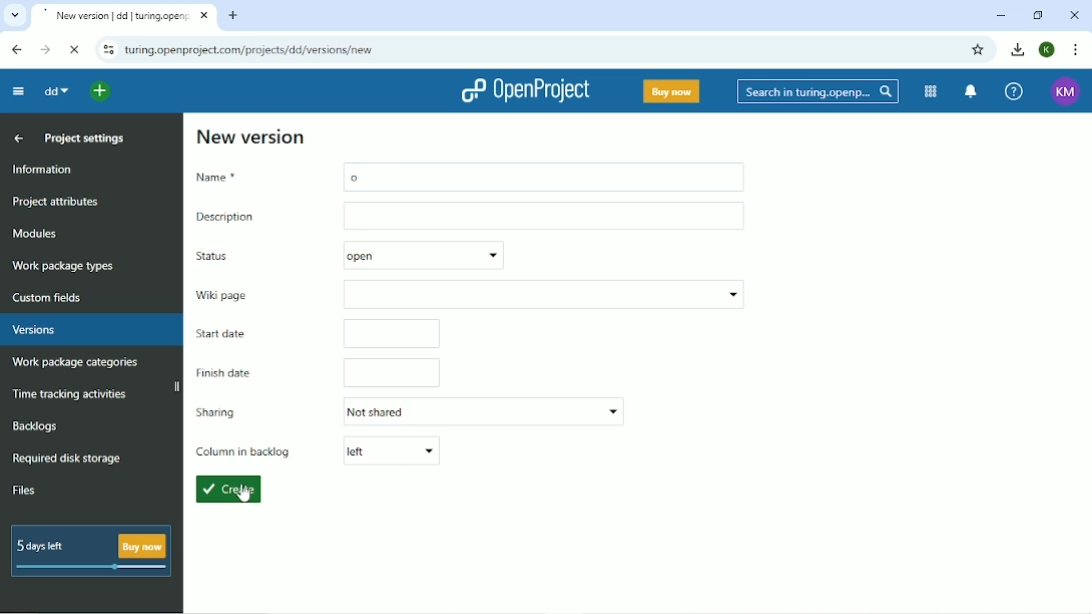 The image size is (1092, 614). I want to click on Files, so click(24, 489).